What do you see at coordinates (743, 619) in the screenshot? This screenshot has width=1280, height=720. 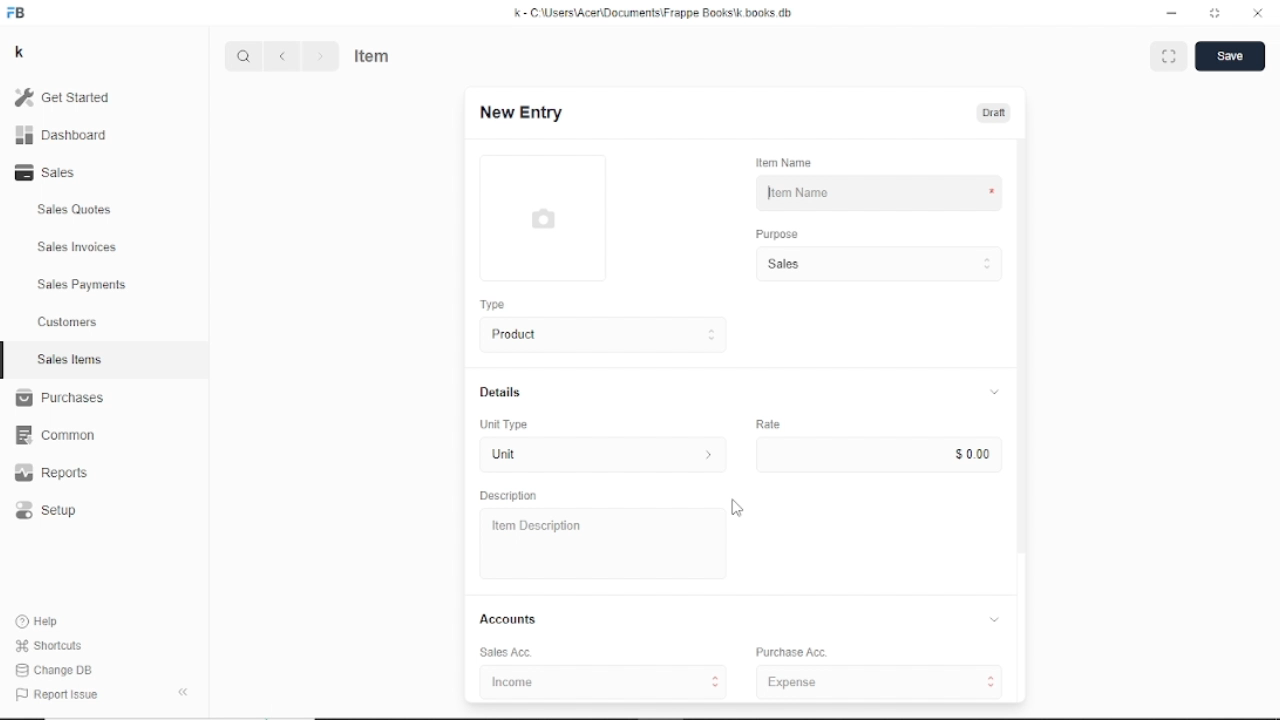 I see `Accounts` at bounding box center [743, 619].